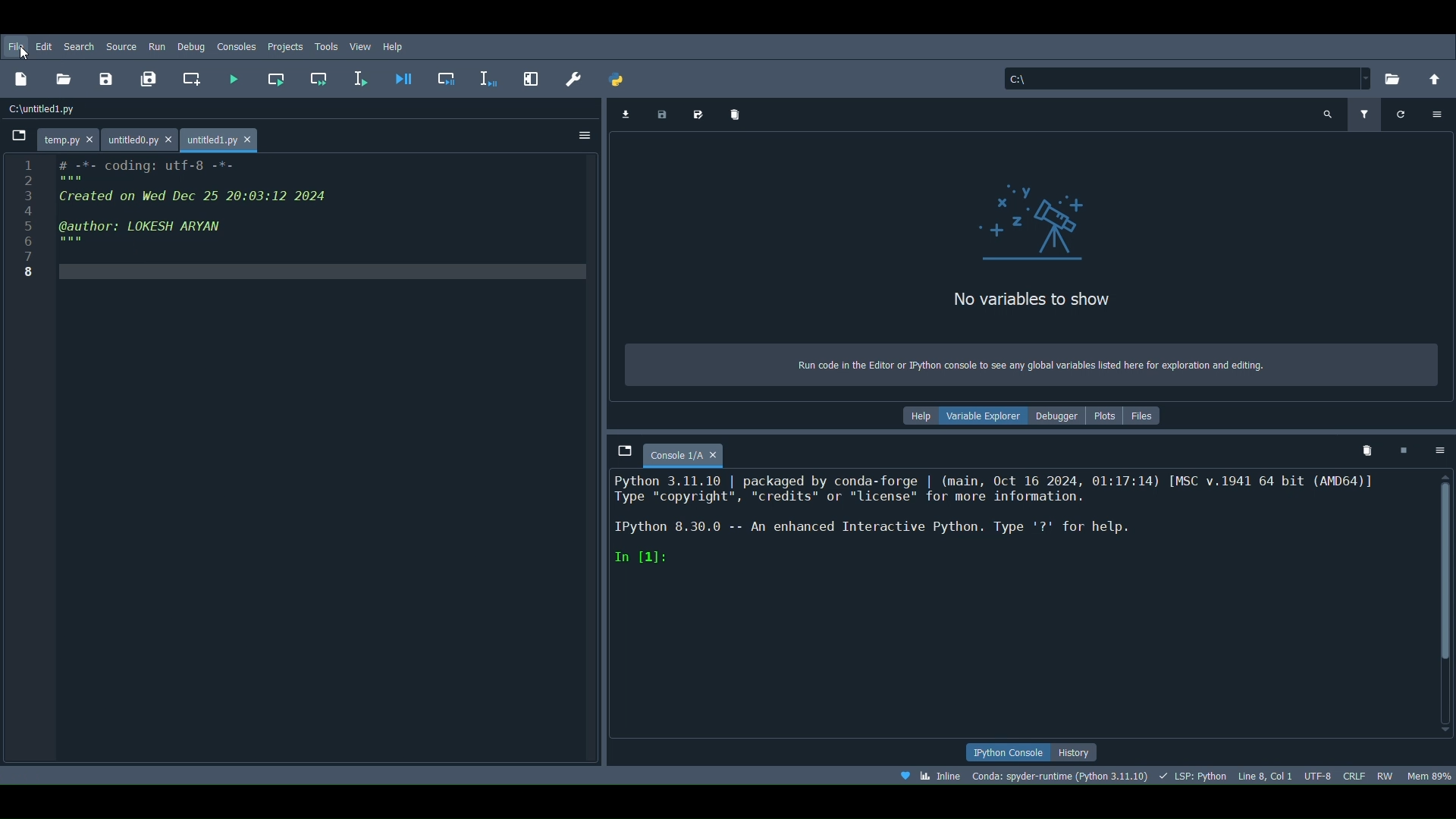 The height and width of the screenshot is (819, 1456). Describe the element at coordinates (1041, 362) in the screenshot. I see `Run code in the Edtur or Pythos console to see any global variables isted here for exploration and editing` at that location.